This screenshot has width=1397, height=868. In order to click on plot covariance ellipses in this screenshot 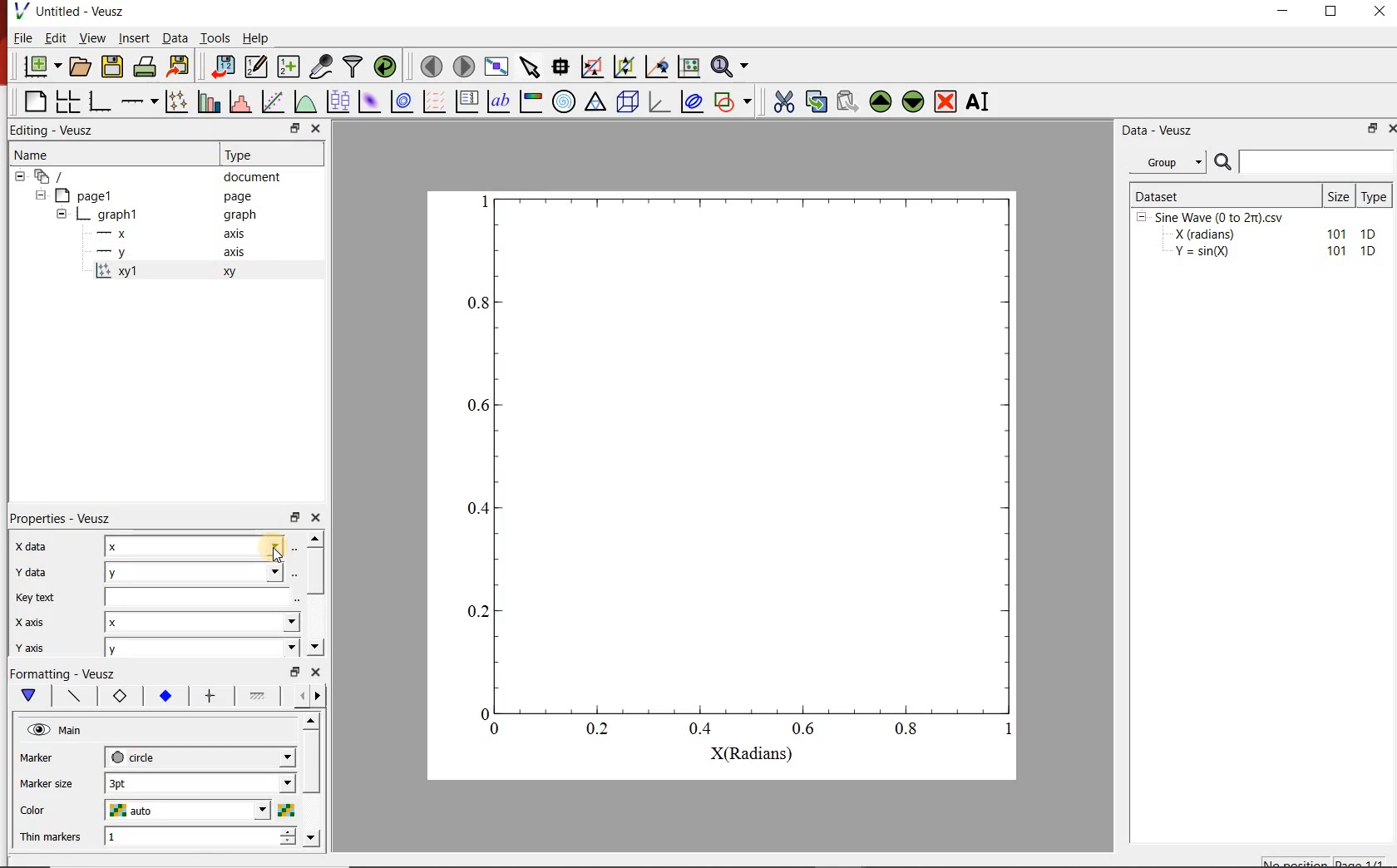, I will do `click(691, 101)`.